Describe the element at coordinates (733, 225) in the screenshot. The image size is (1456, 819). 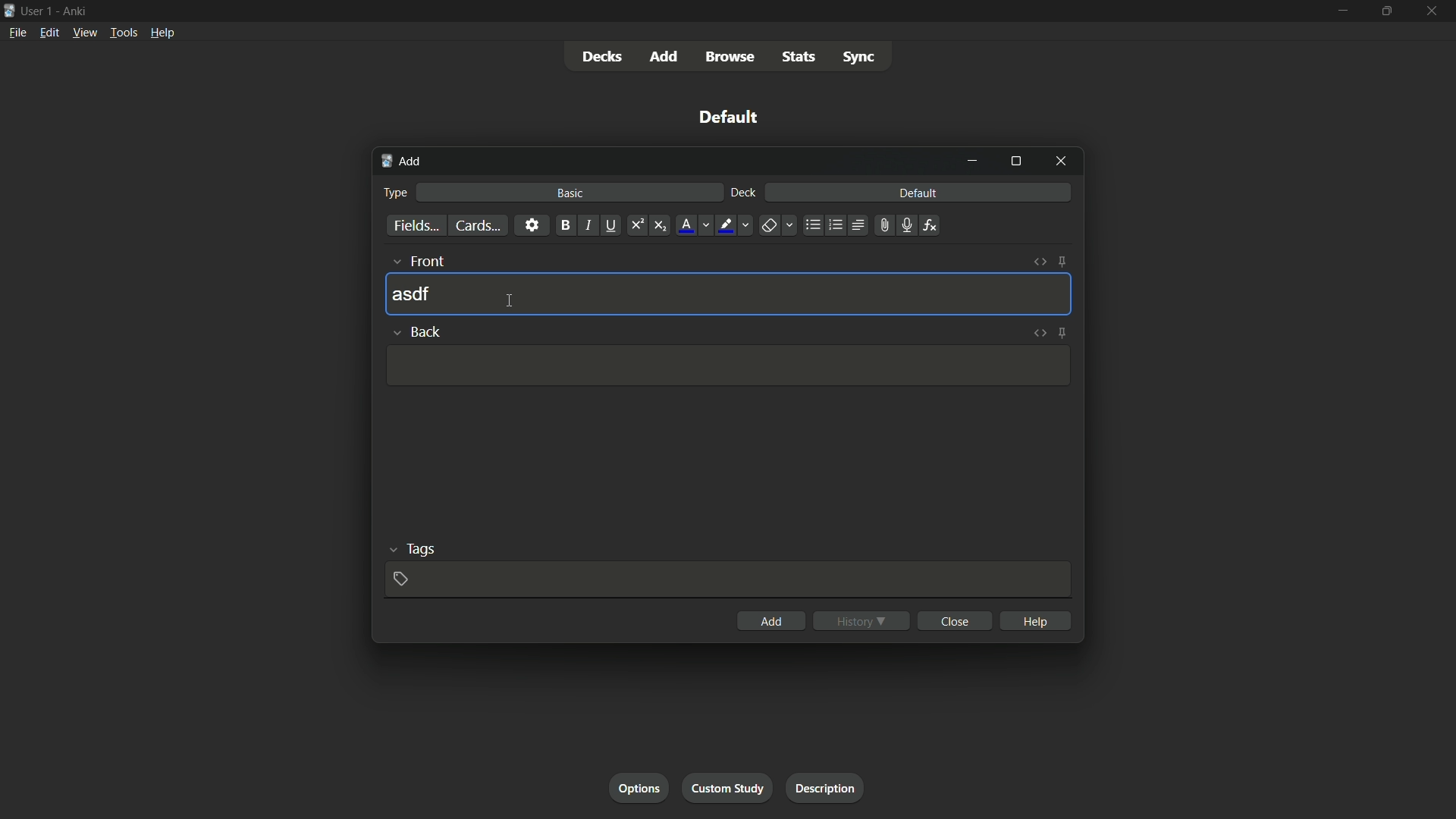
I see `text highlight` at that location.